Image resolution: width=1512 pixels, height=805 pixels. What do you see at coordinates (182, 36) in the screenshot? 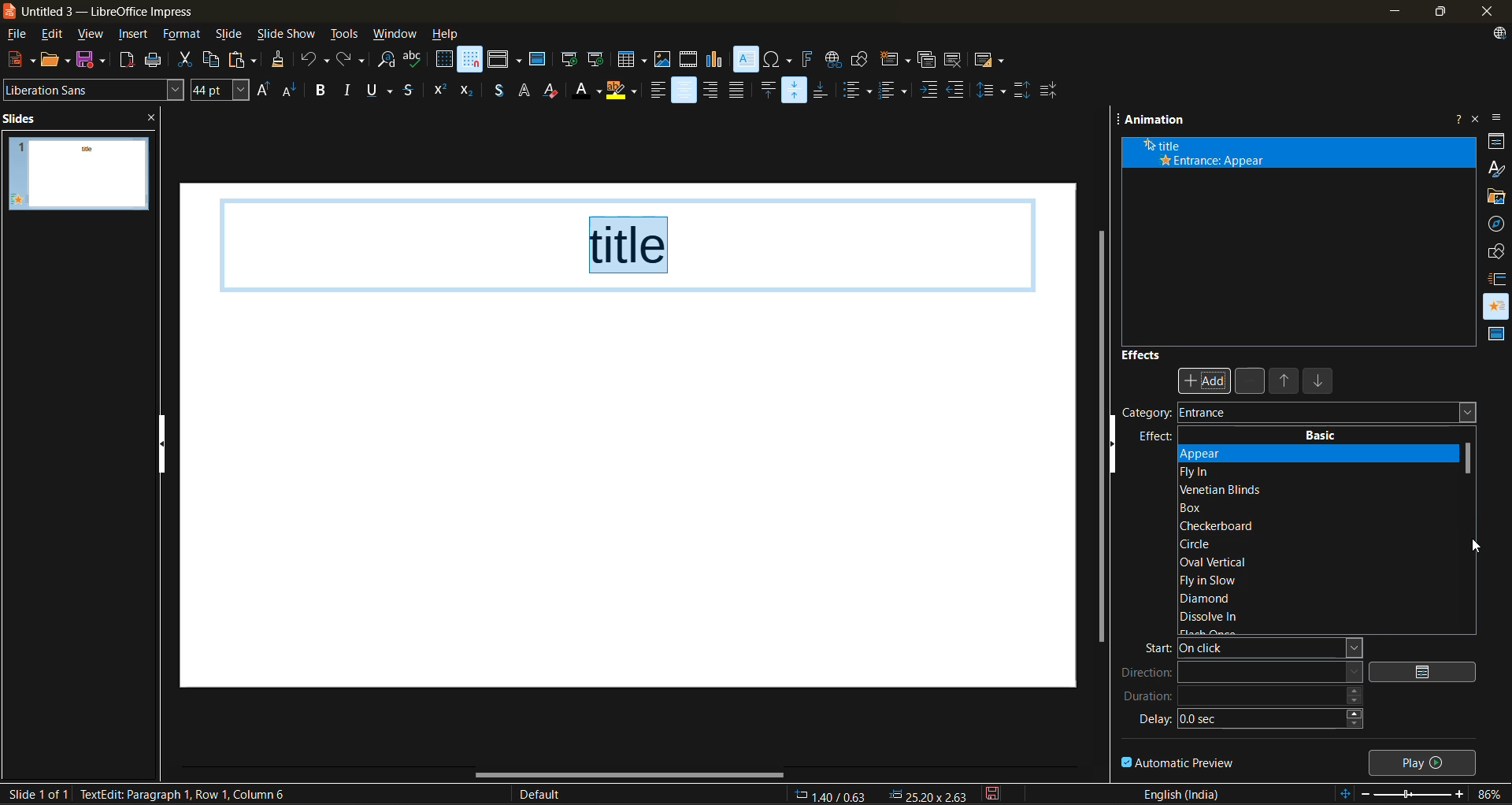
I see `format` at bounding box center [182, 36].